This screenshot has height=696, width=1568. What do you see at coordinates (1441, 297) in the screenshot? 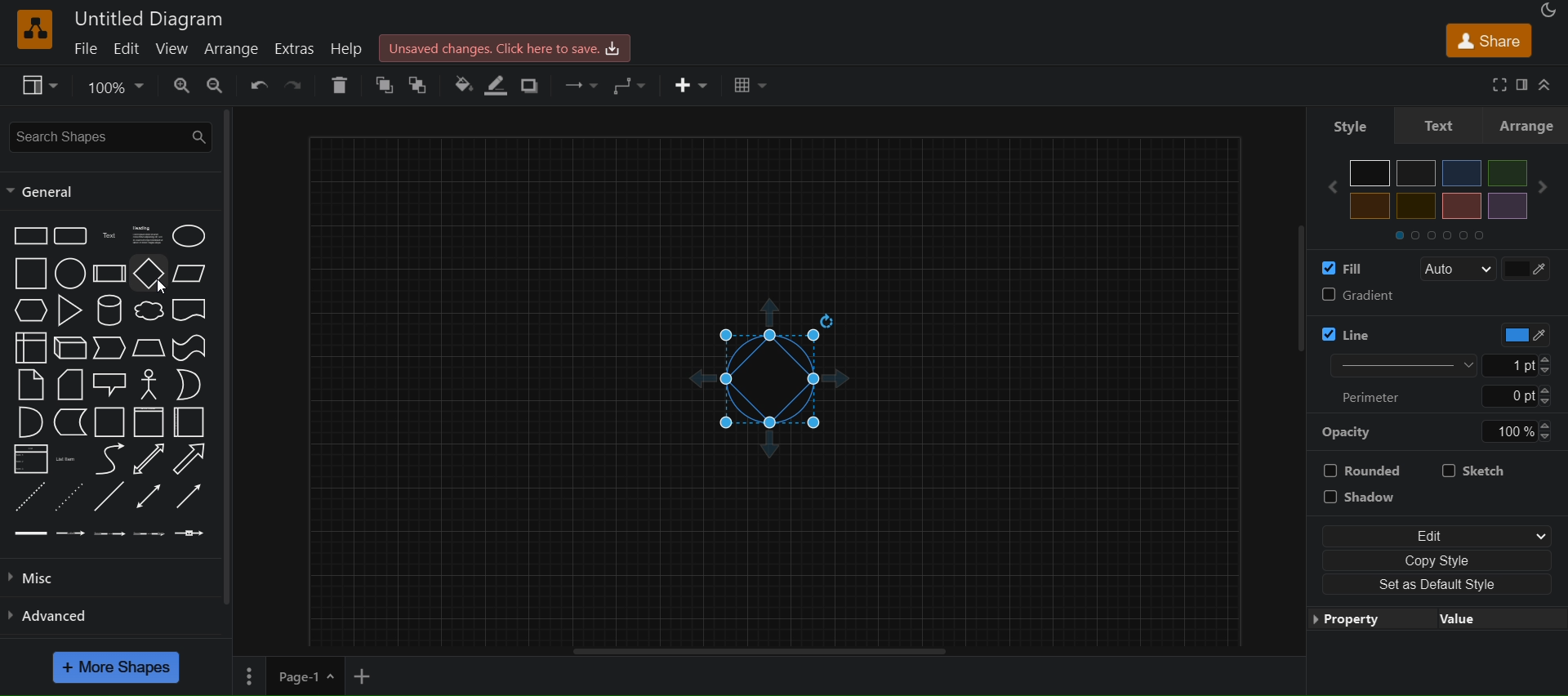
I see `gradient` at bounding box center [1441, 297].